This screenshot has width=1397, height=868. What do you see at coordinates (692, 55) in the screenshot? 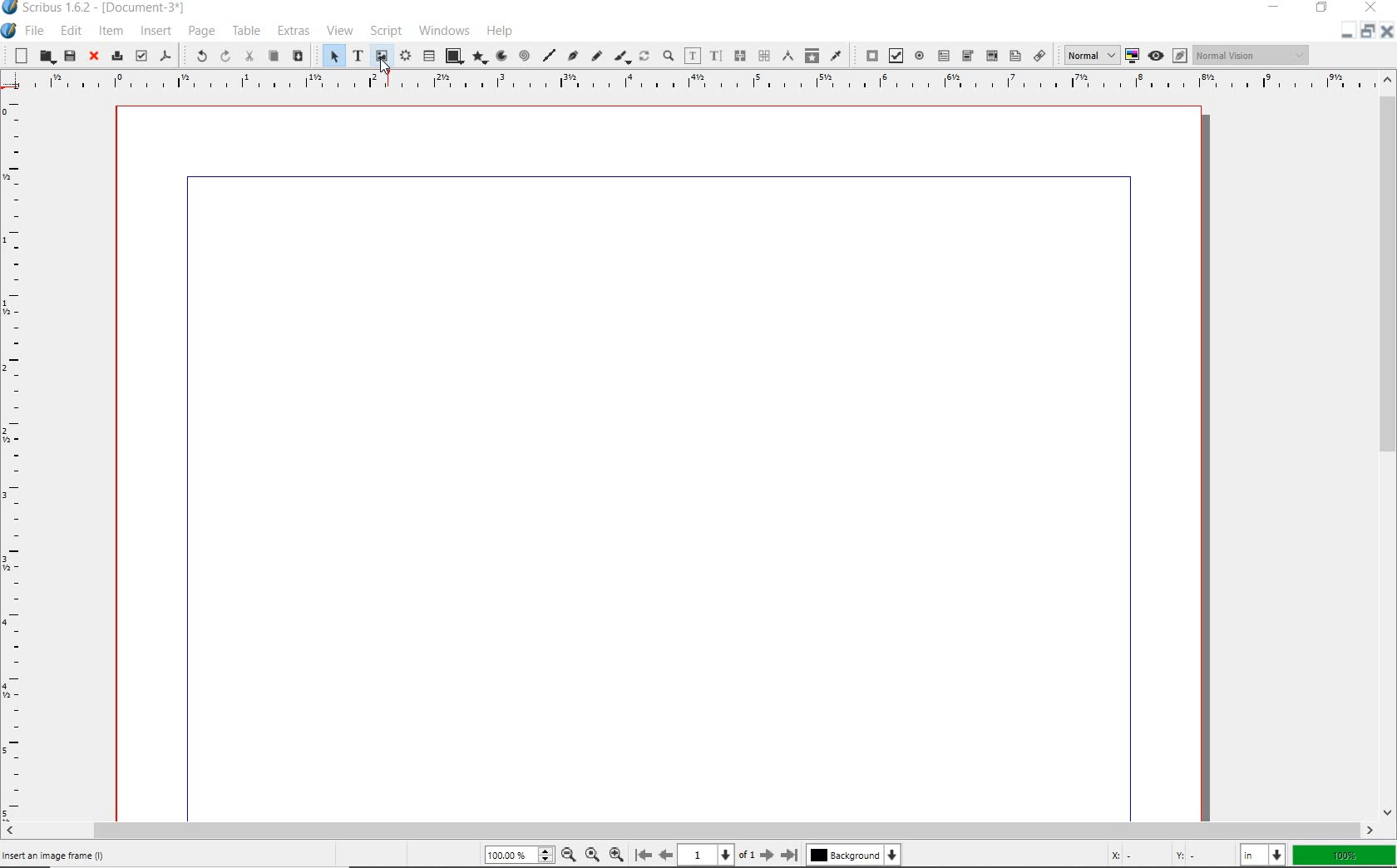
I see `edit contents of frame` at bounding box center [692, 55].